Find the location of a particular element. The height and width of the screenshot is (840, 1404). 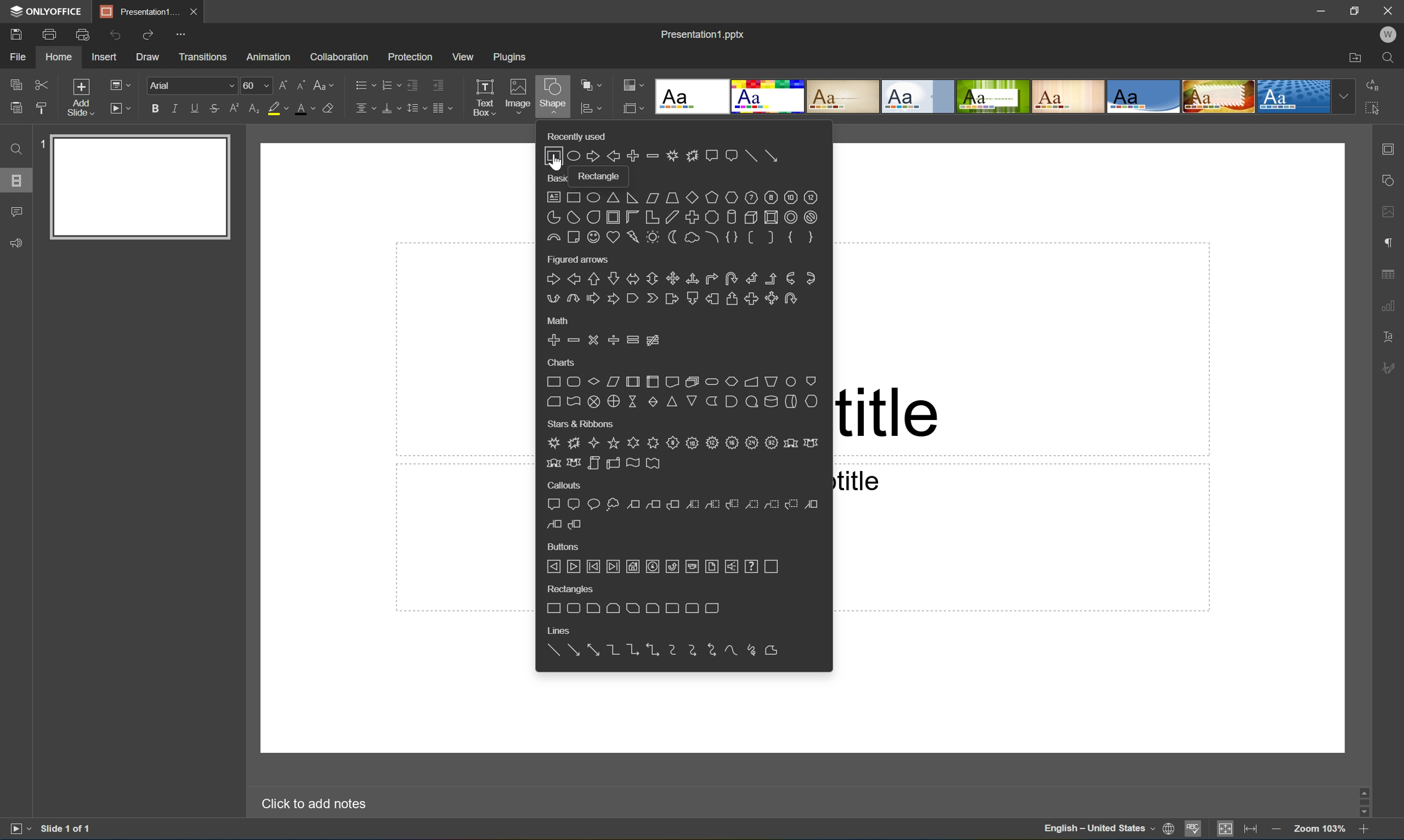

Set document language is located at coordinates (1168, 830).